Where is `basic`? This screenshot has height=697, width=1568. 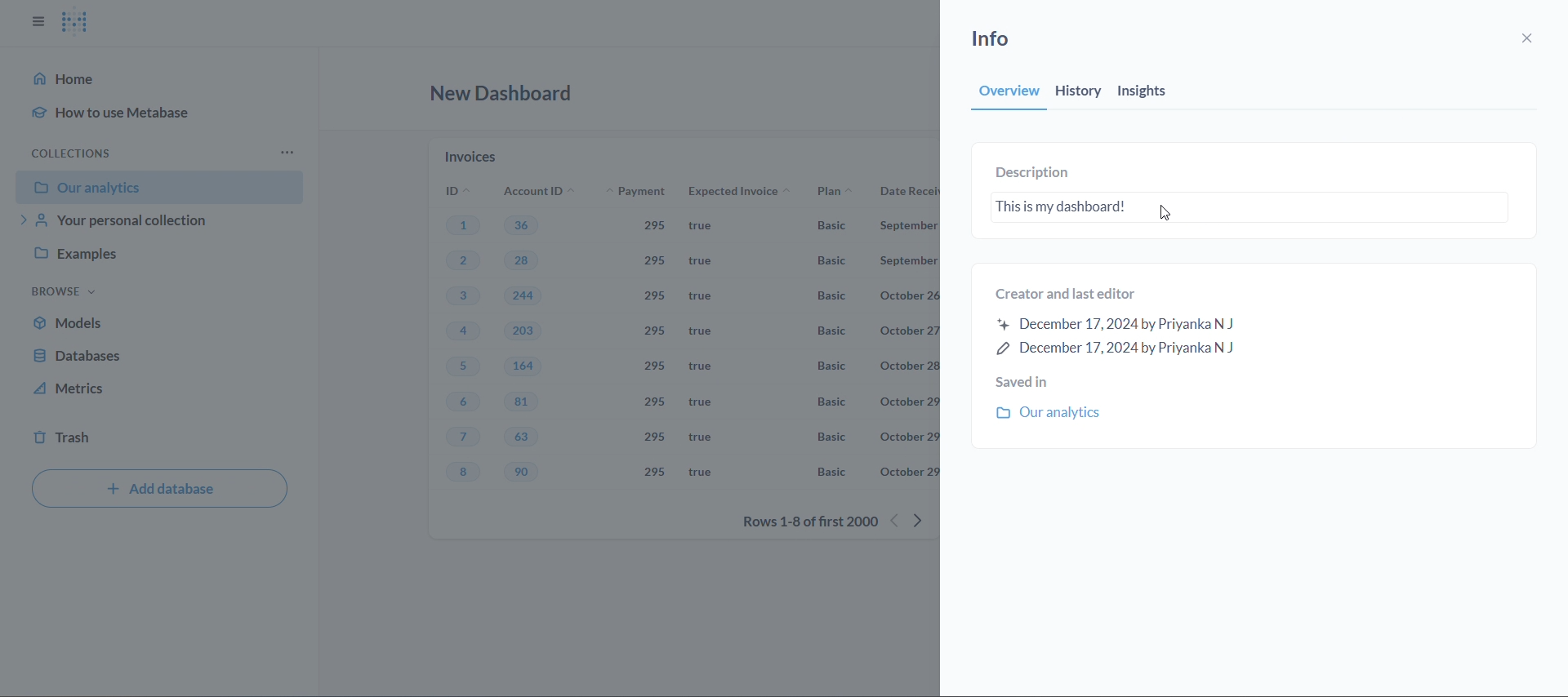 basic is located at coordinates (831, 263).